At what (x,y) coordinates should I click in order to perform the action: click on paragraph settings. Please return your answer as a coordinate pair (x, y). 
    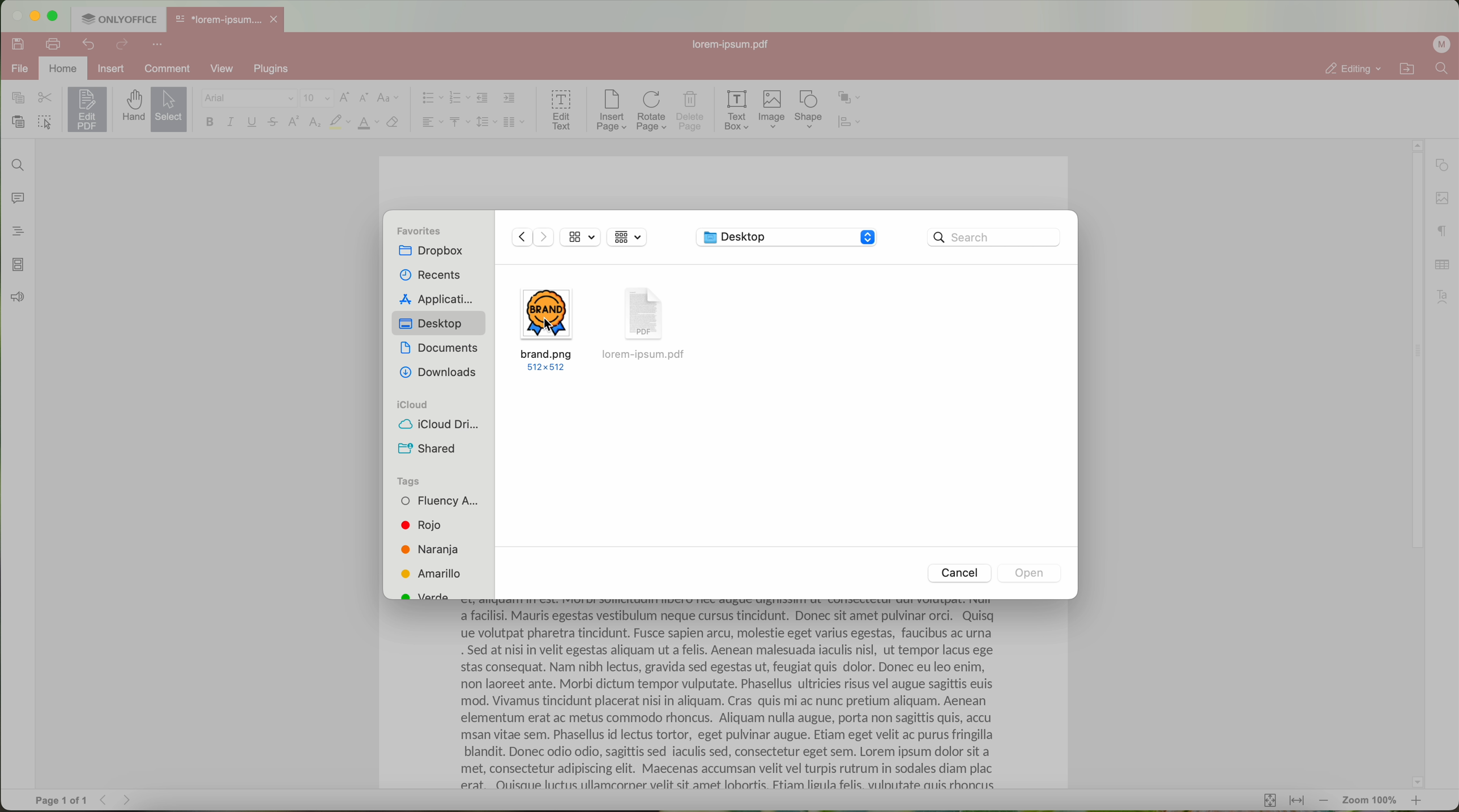
    Looking at the image, I should click on (1443, 230).